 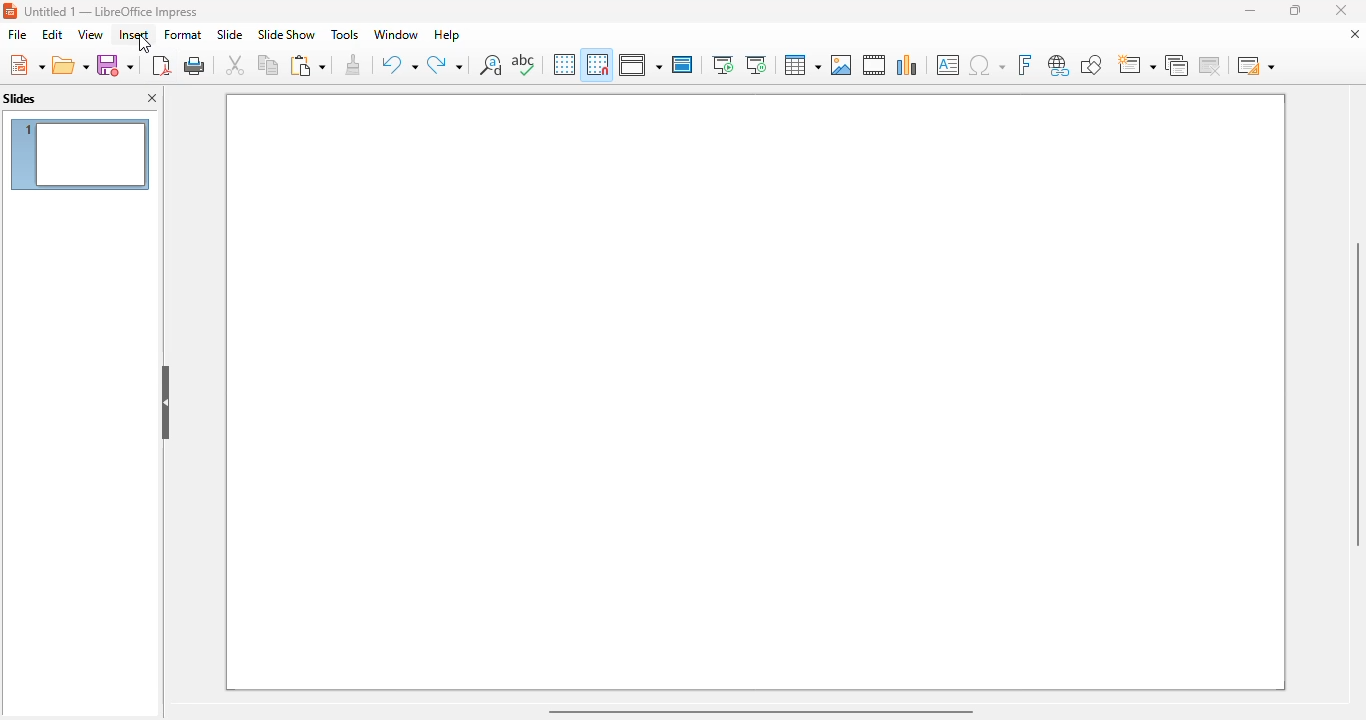 What do you see at coordinates (161, 65) in the screenshot?
I see `export directly as PDF` at bounding box center [161, 65].